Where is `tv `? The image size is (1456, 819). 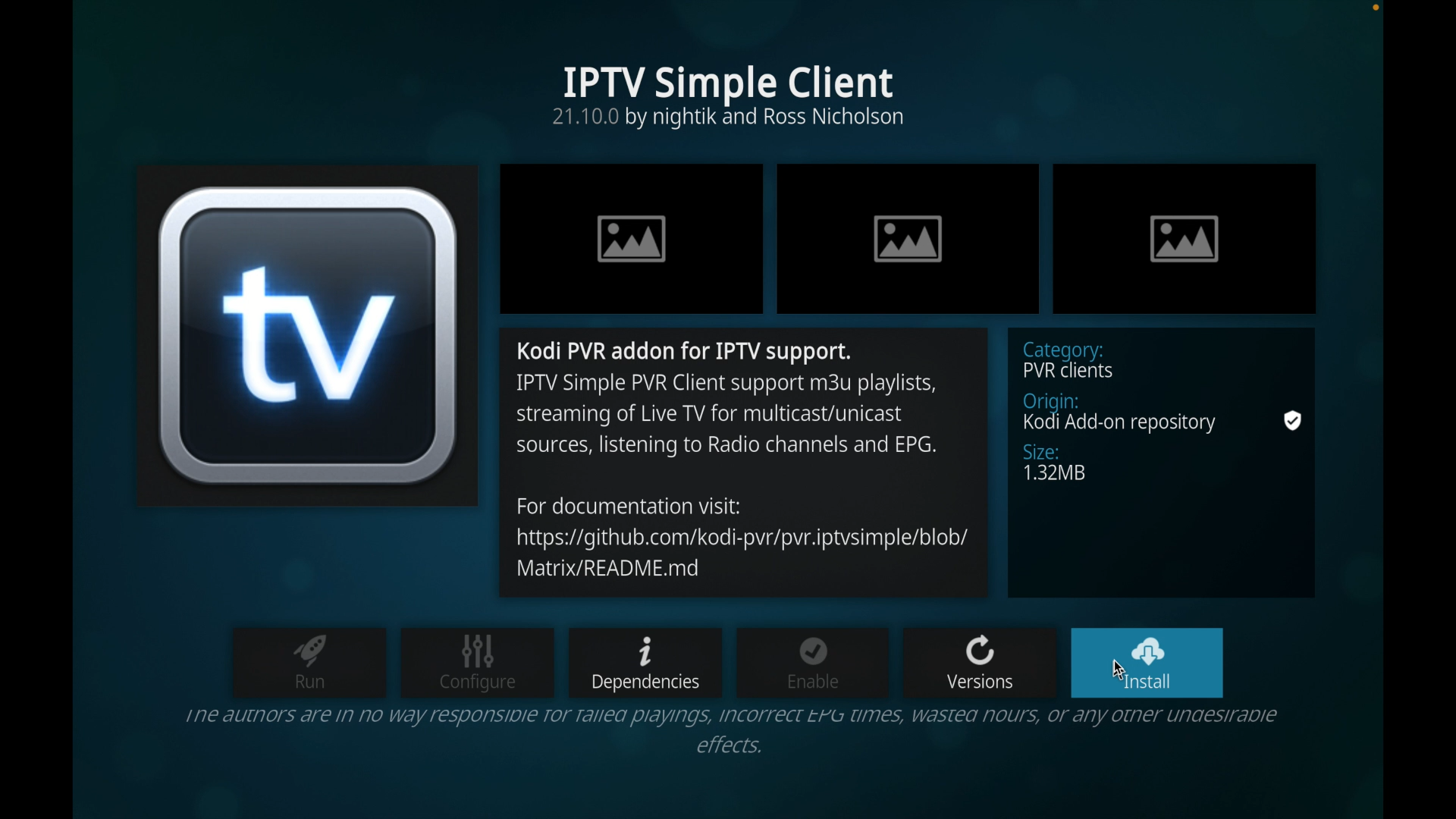
tv  is located at coordinates (305, 336).